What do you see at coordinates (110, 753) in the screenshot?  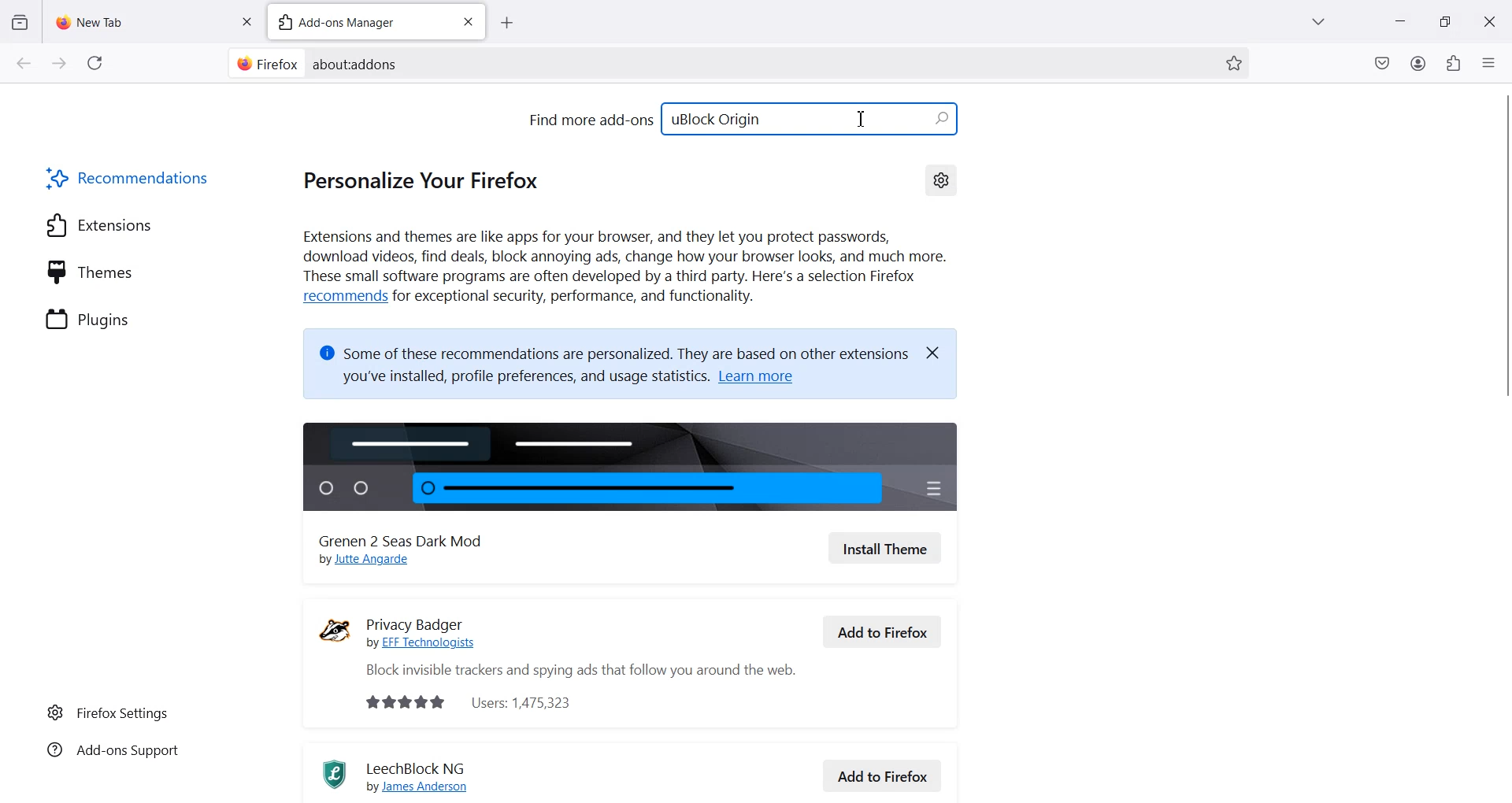 I see `Add-ons Support` at bounding box center [110, 753].